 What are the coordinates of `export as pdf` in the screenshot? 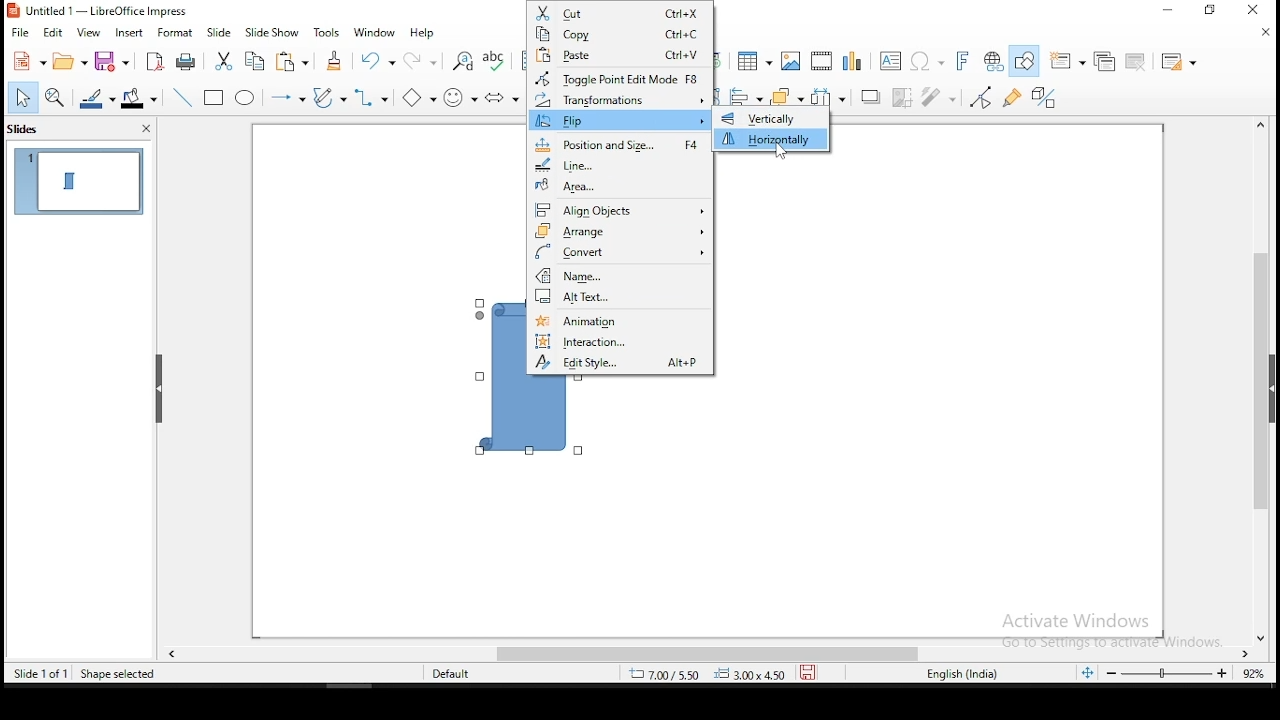 It's located at (154, 61).